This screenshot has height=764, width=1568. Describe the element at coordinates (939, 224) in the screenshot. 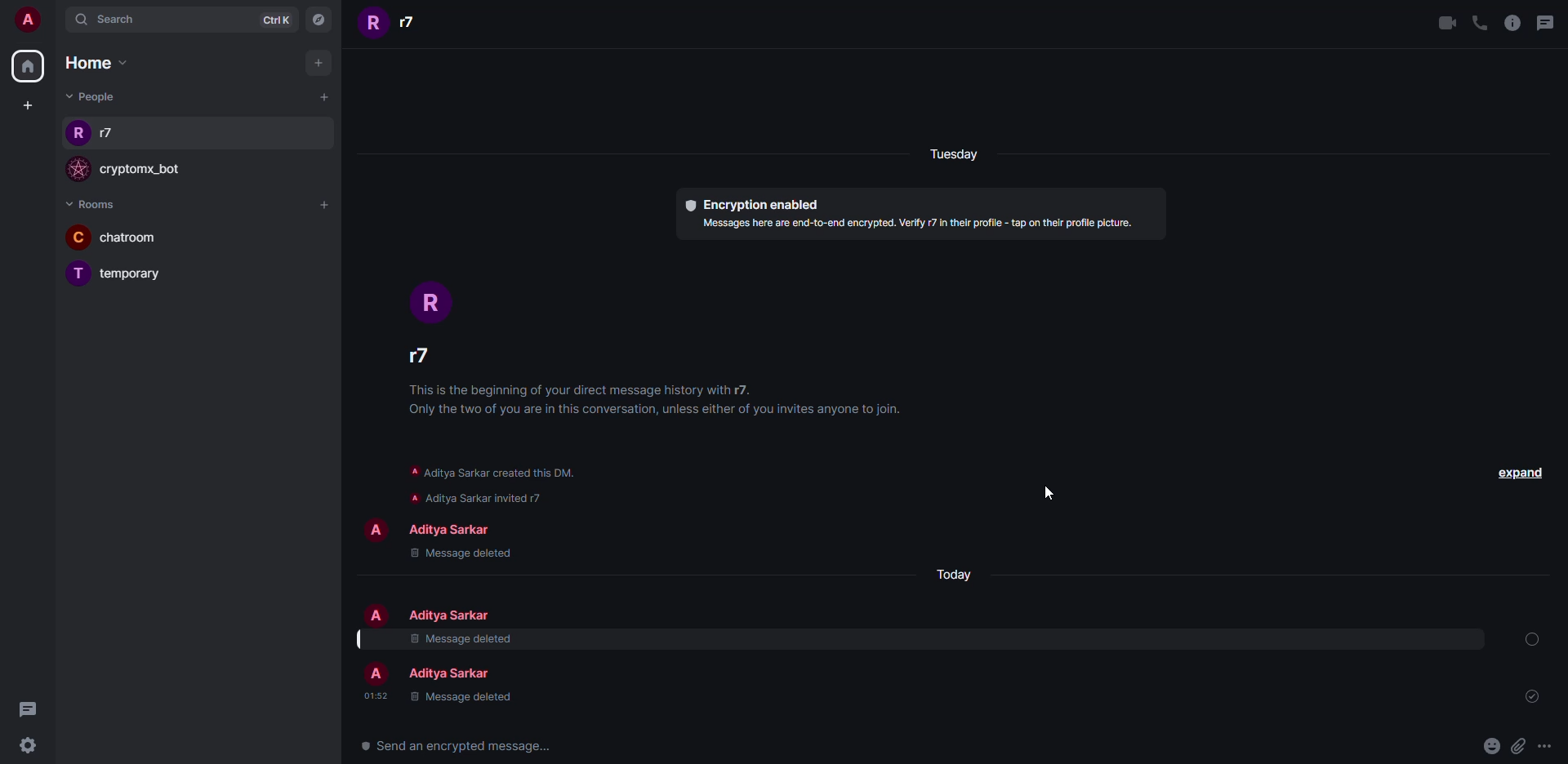

I see `info` at that location.